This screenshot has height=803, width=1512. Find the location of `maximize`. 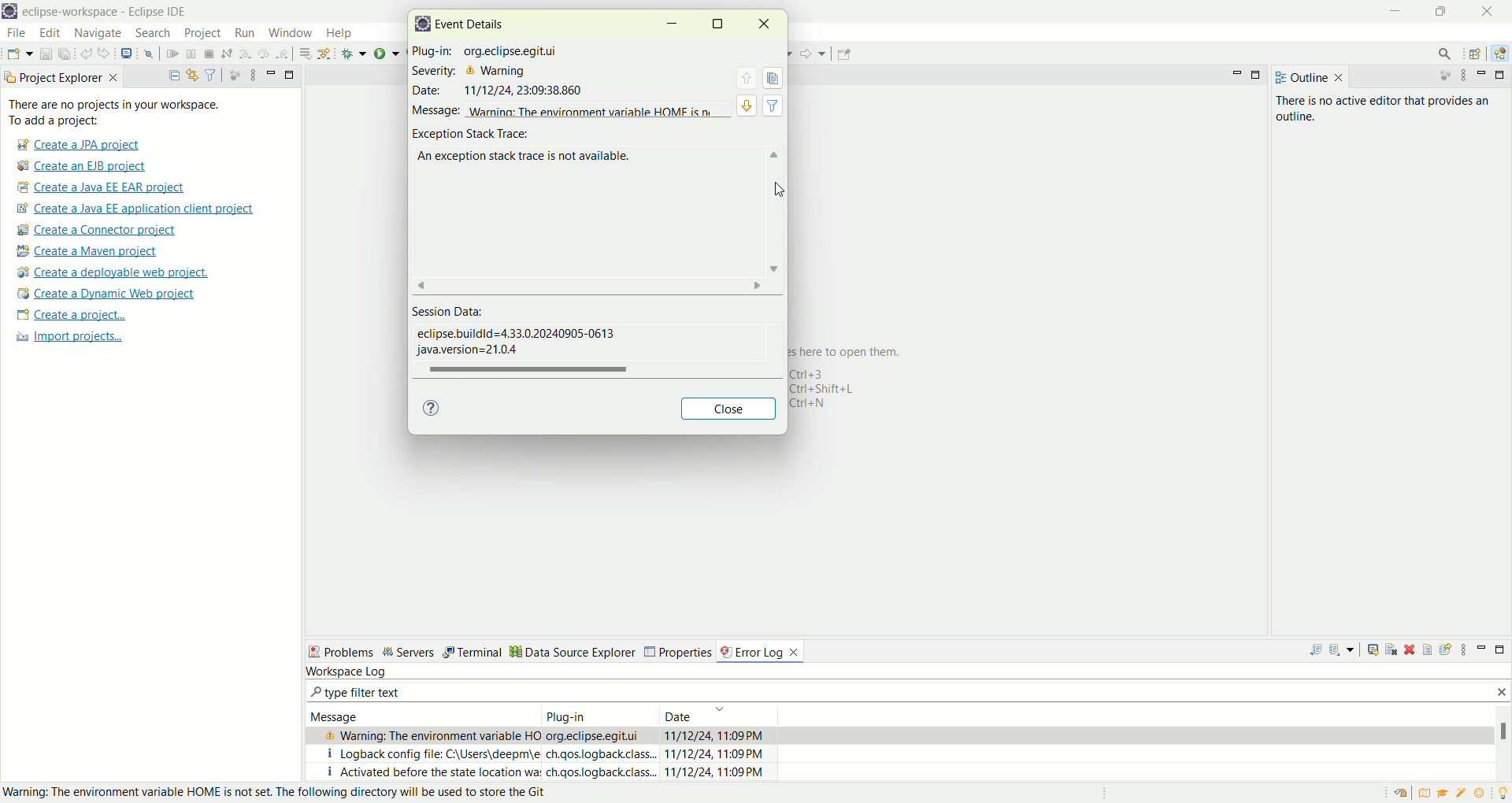

maximize is located at coordinates (1442, 12).